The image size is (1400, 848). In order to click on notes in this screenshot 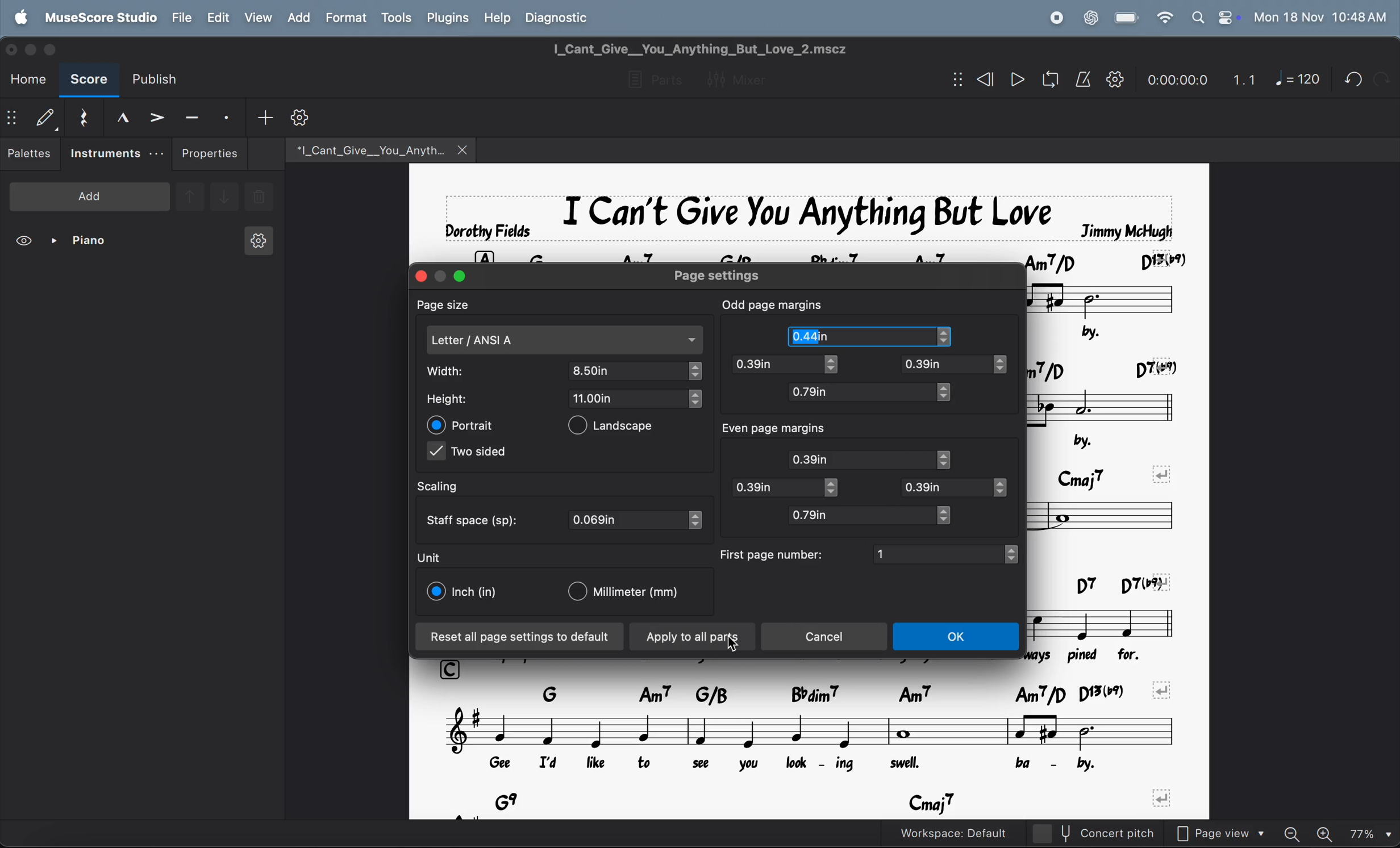, I will do `click(1106, 404)`.